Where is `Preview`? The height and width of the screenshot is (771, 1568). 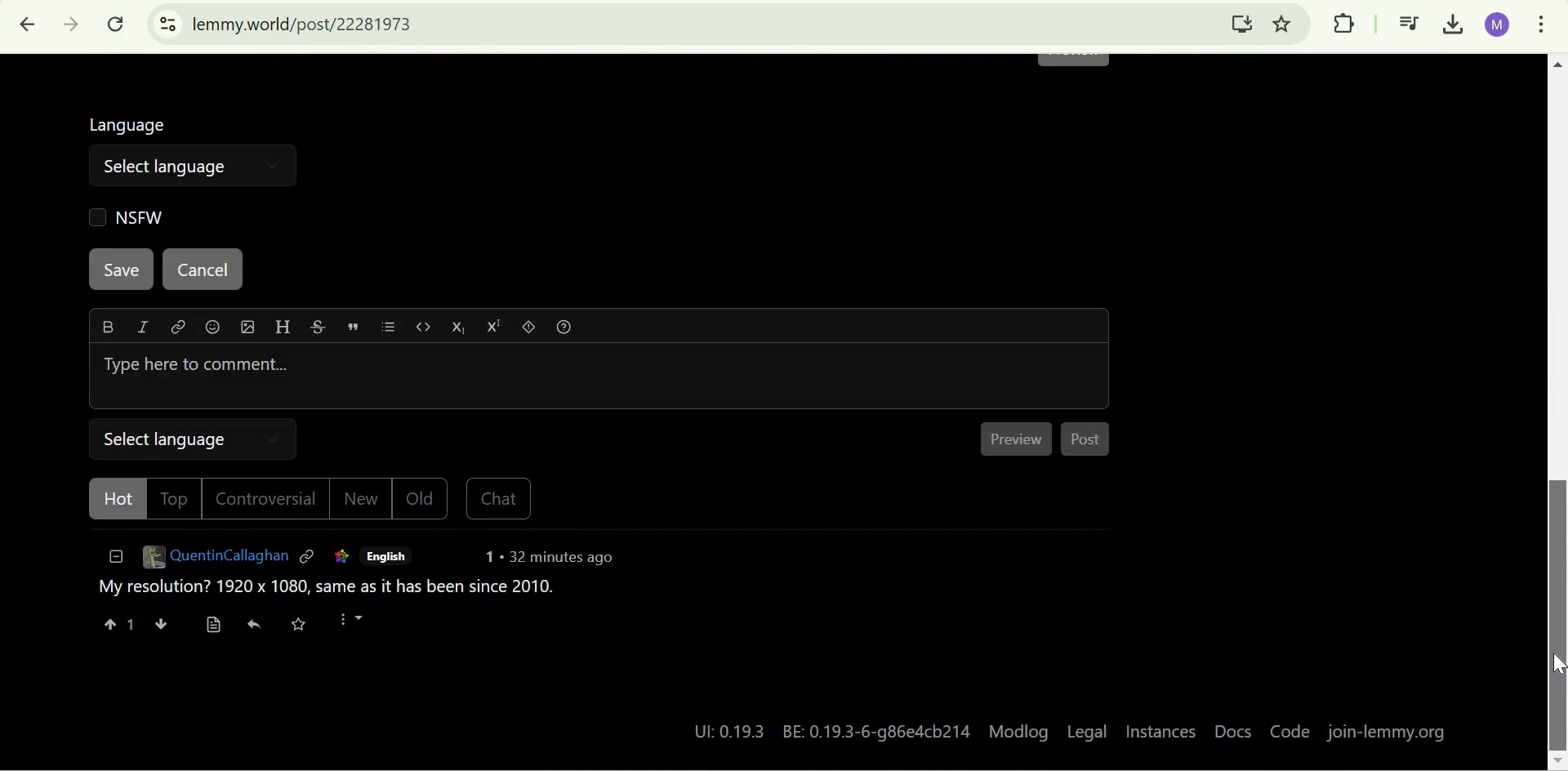 Preview is located at coordinates (1020, 439).